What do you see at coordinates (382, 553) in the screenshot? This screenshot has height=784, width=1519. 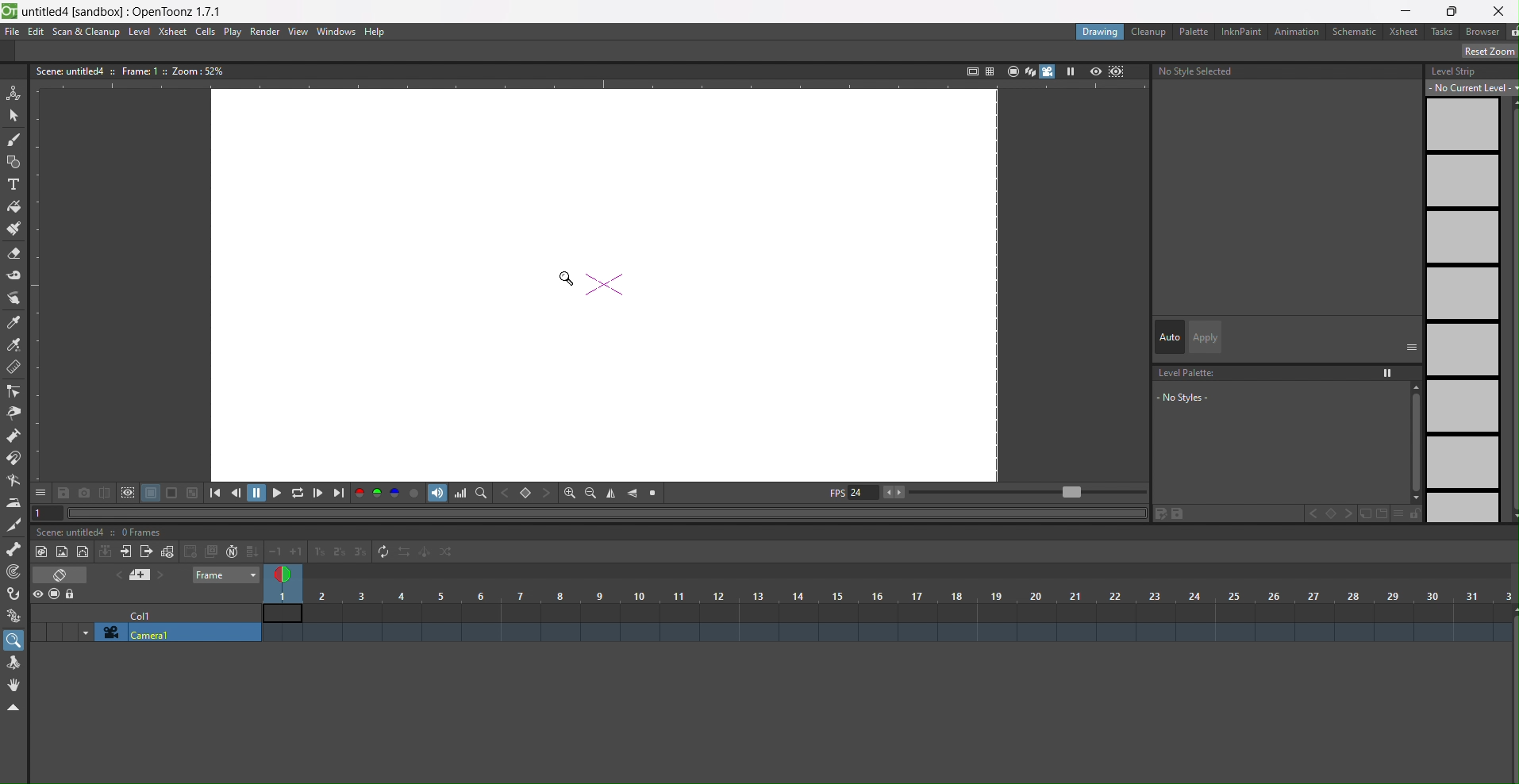 I see `refresh` at bounding box center [382, 553].